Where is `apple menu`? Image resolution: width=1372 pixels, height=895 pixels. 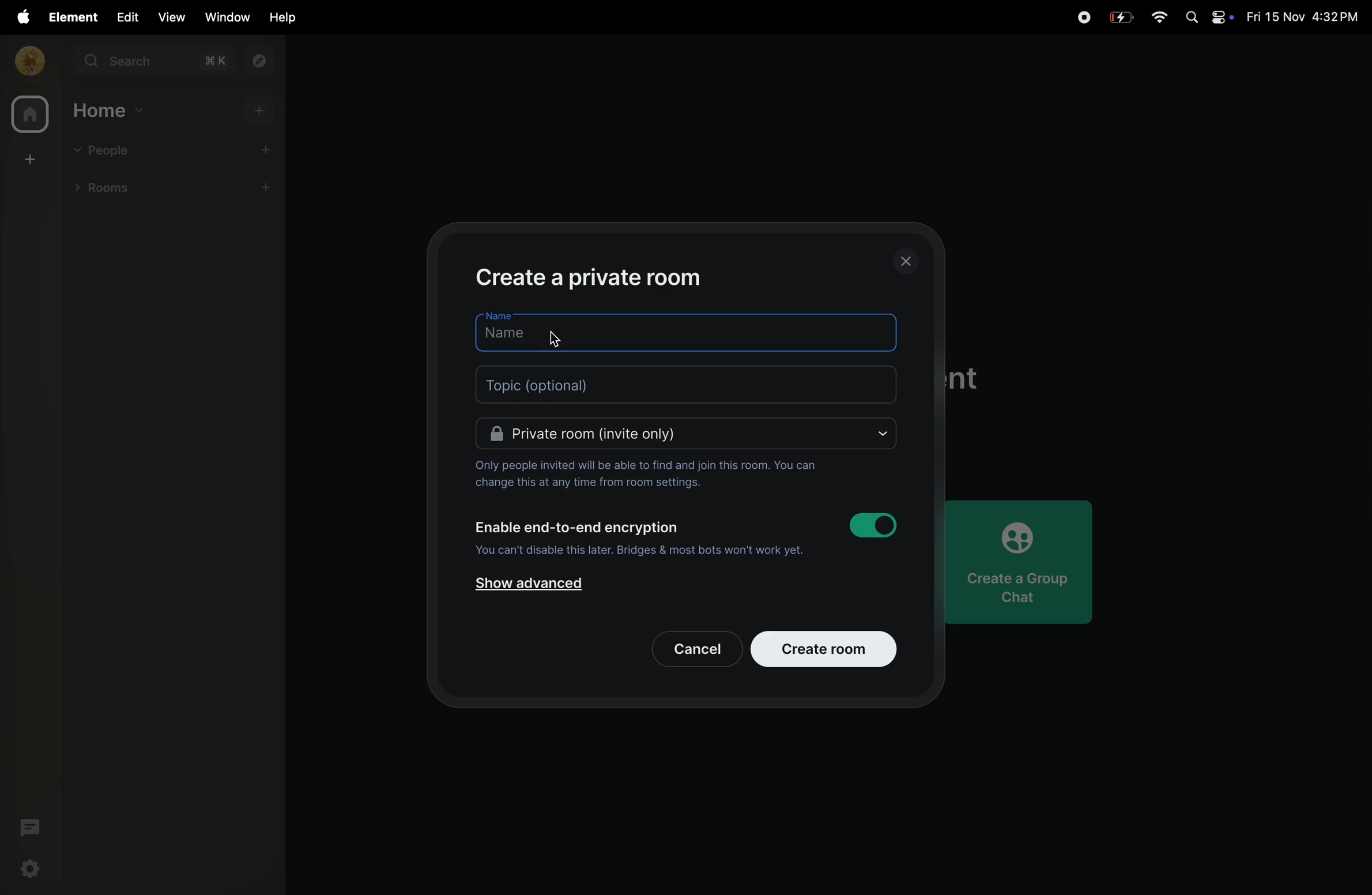
apple menu is located at coordinates (18, 17).